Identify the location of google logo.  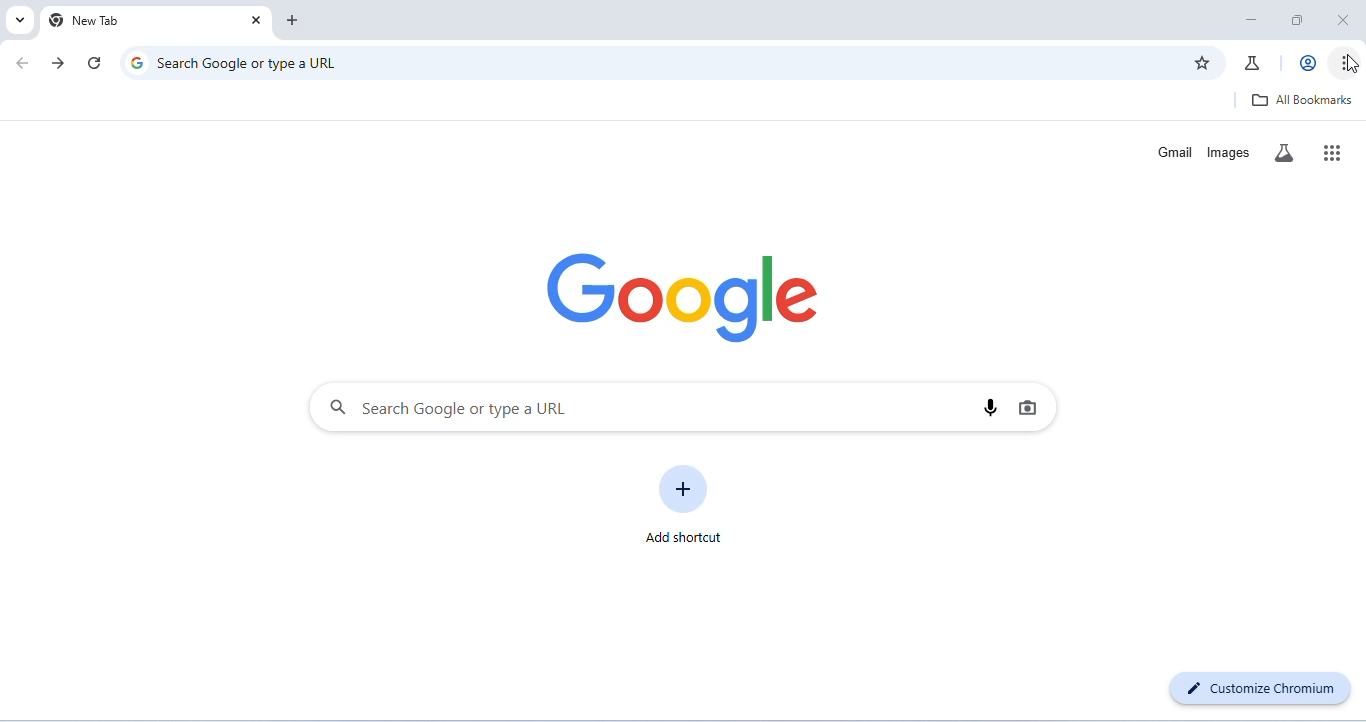
(135, 63).